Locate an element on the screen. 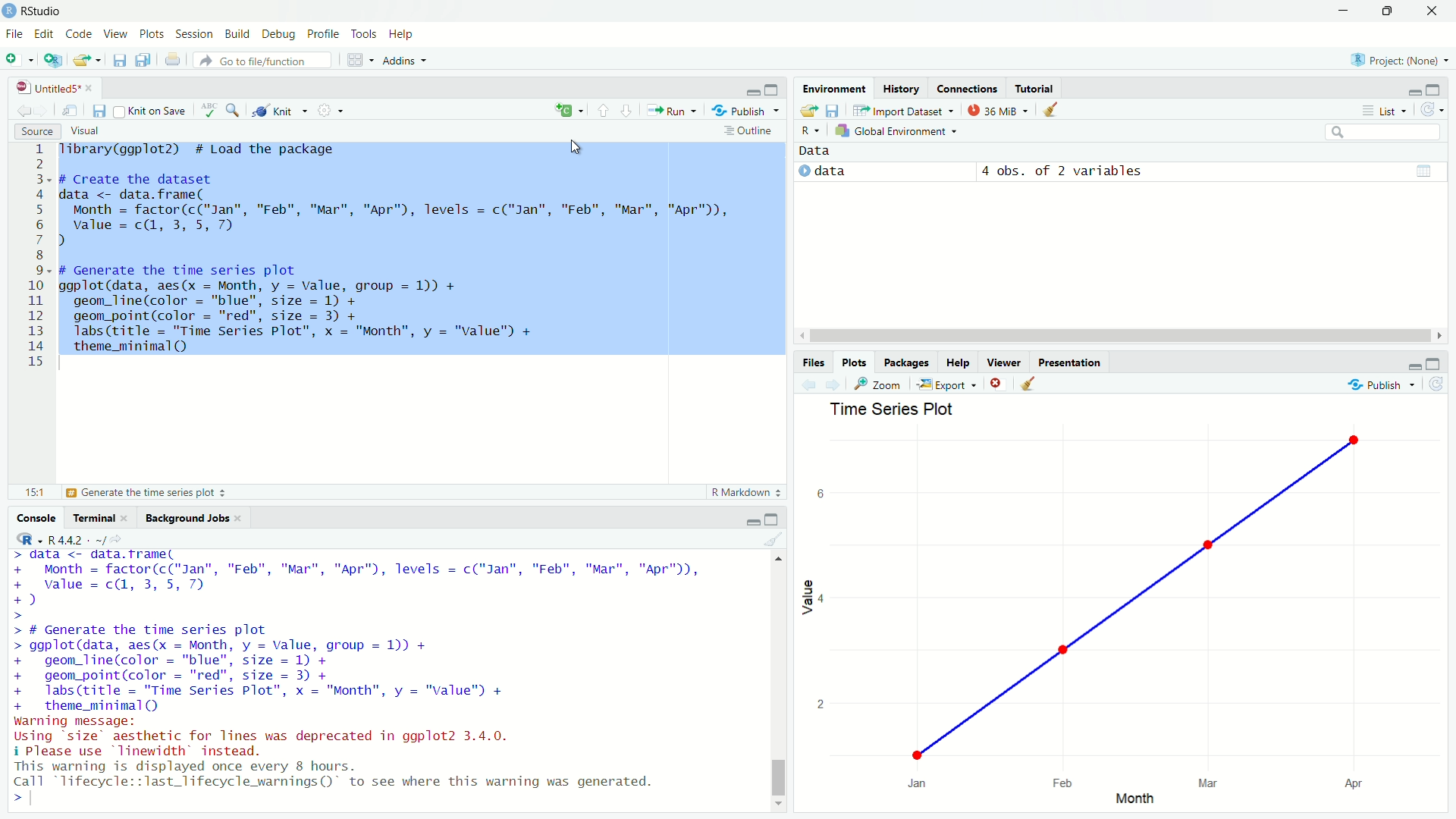 This screenshot has width=1456, height=819. settings is located at coordinates (334, 114).